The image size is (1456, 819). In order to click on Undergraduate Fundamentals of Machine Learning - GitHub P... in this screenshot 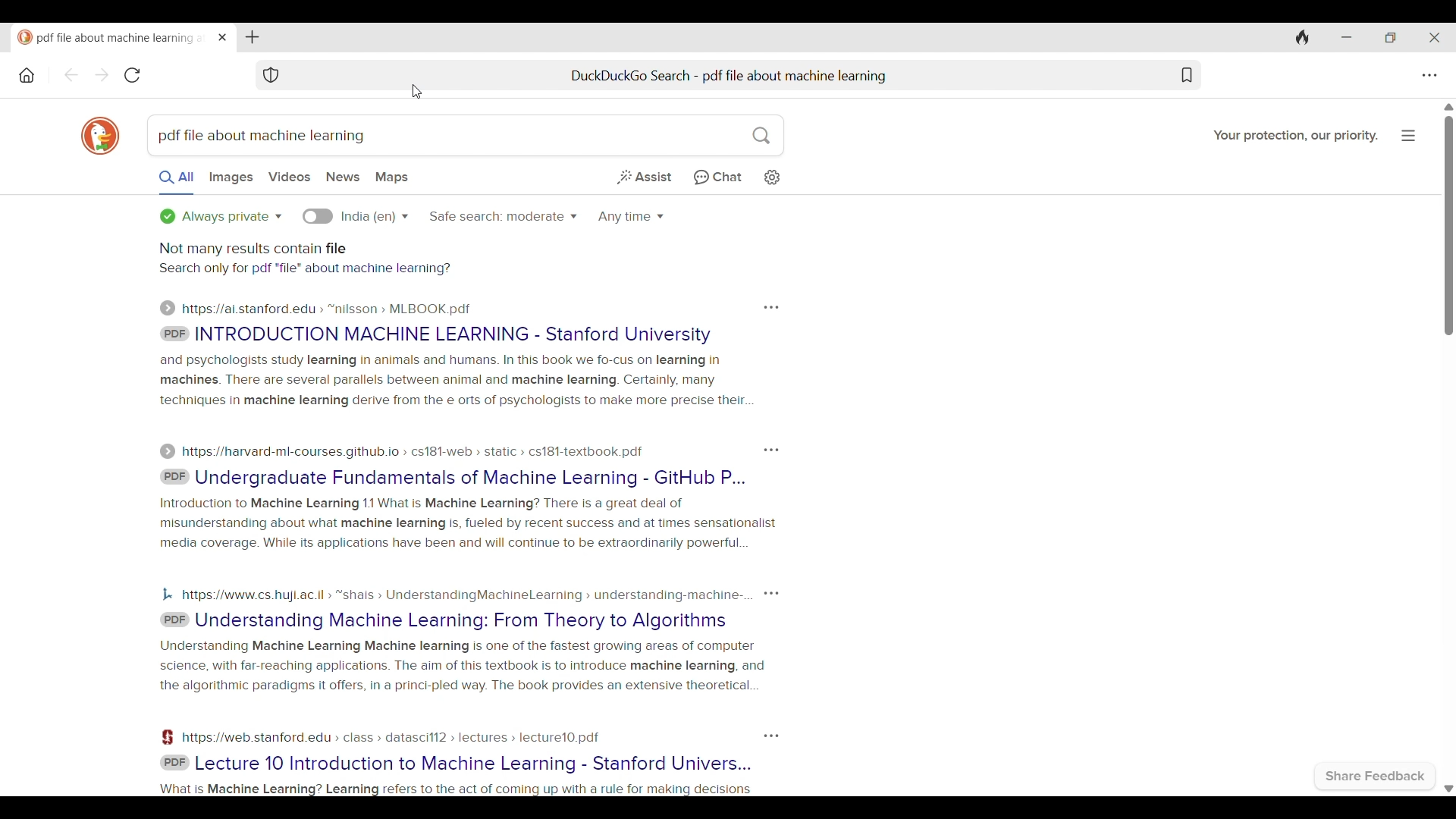, I will do `click(472, 478)`.